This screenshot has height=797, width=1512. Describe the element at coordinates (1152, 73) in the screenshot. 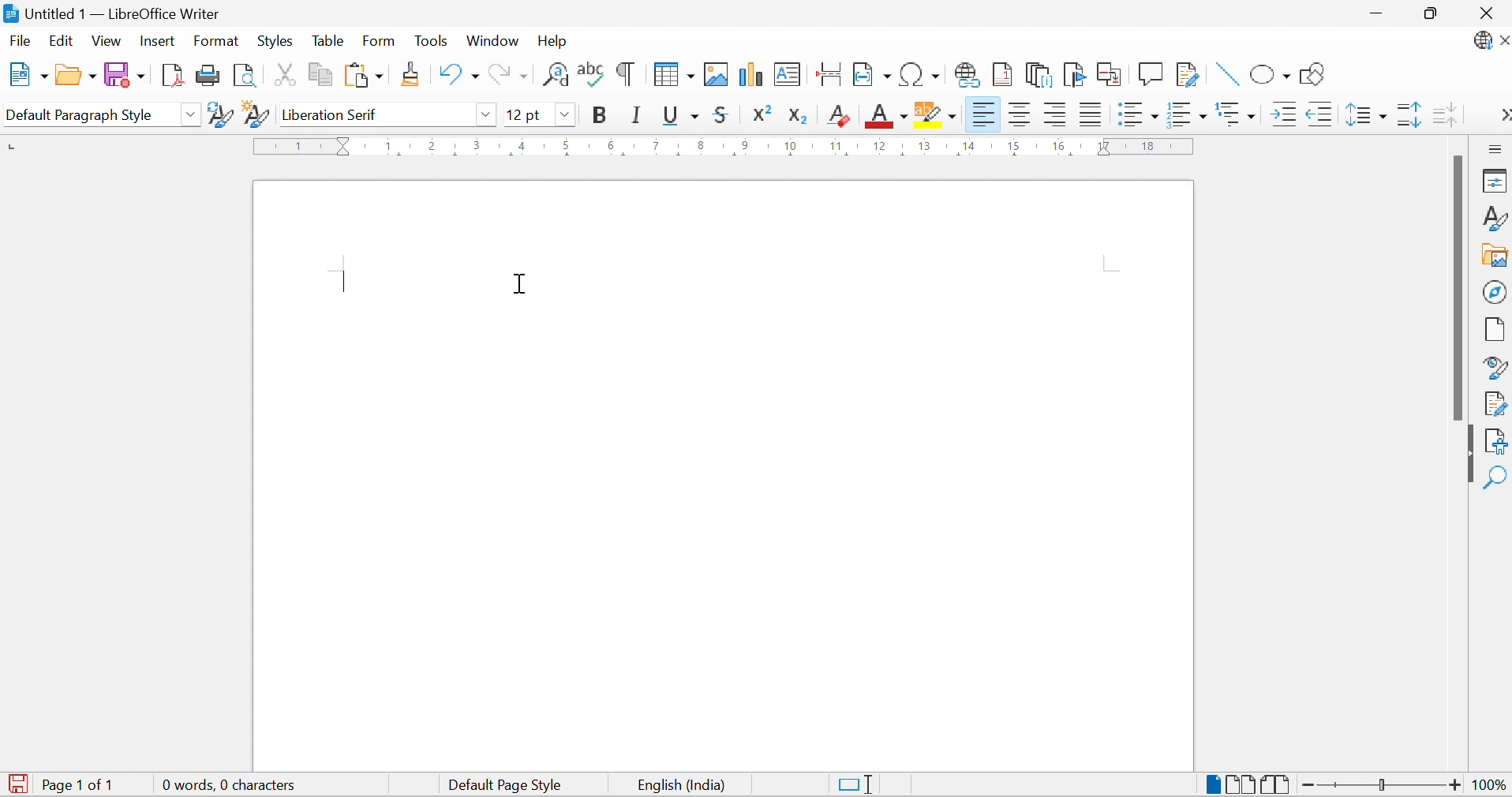

I see `Insert Comment` at that location.